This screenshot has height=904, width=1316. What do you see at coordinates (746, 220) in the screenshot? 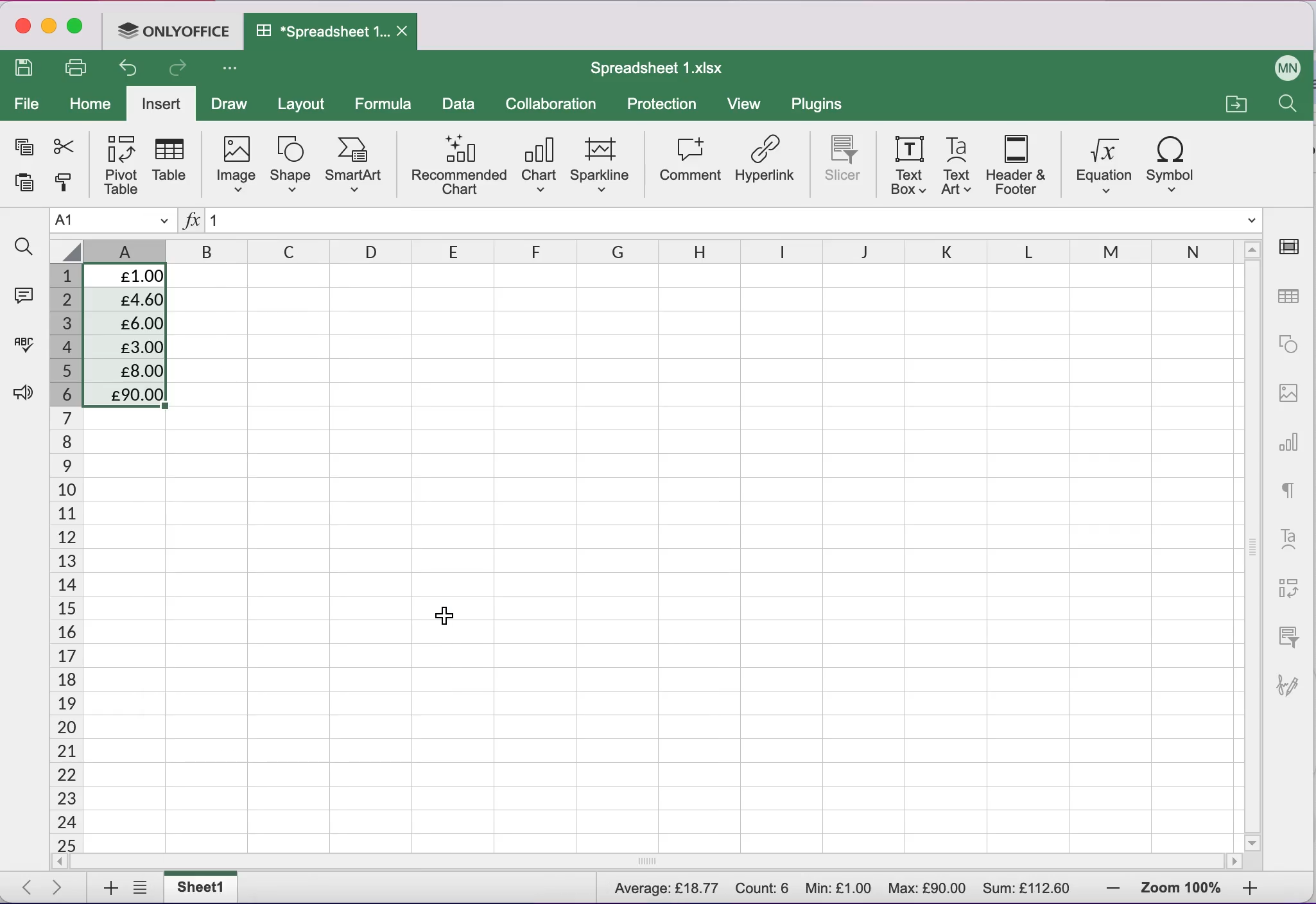
I see `Formula bar` at bounding box center [746, 220].